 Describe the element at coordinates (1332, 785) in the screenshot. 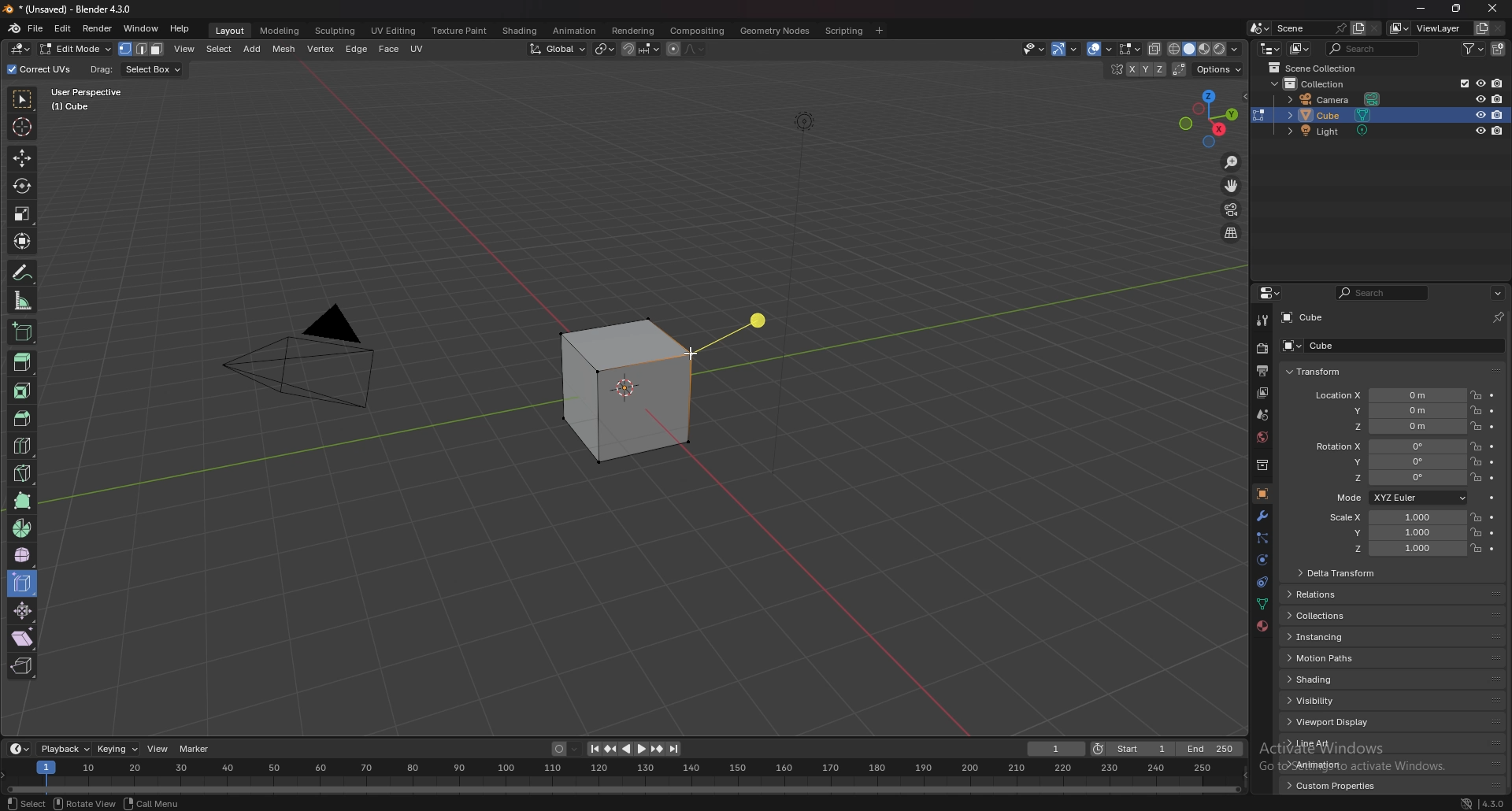

I see `custom properties` at that location.